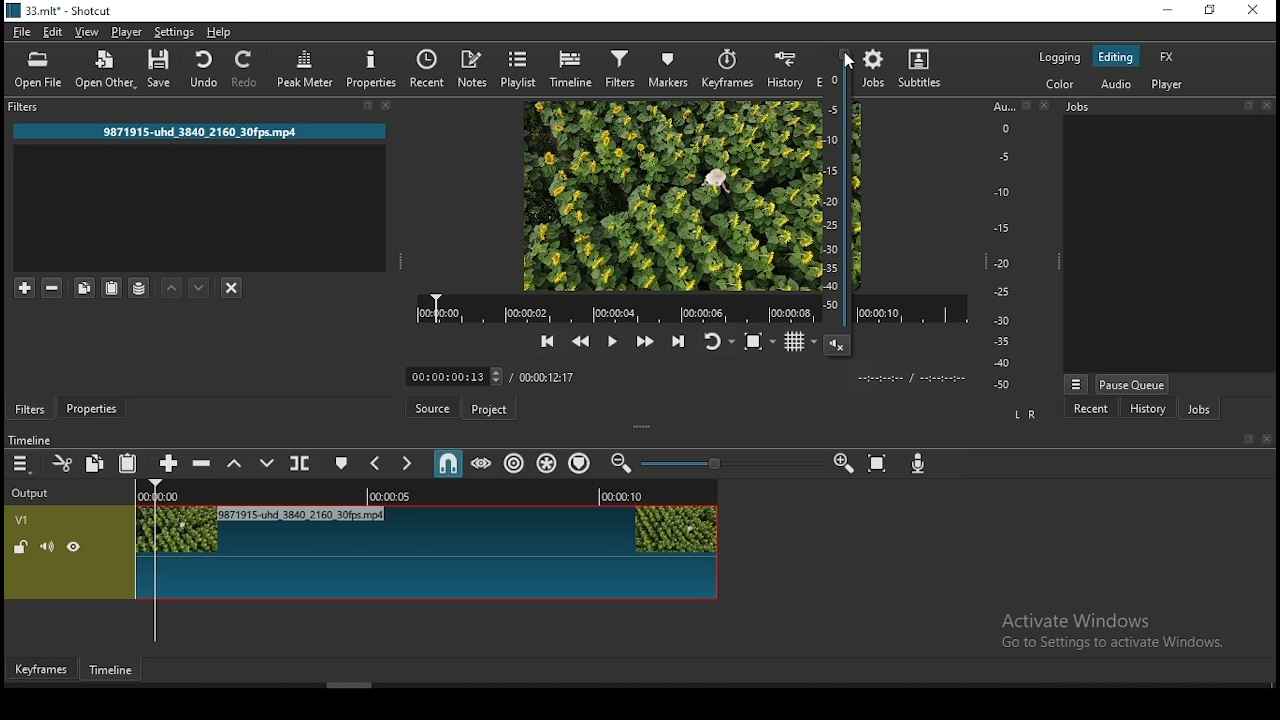  What do you see at coordinates (1167, 84) in the screenshot?
I see `player` at bounding box center [1167, 84].